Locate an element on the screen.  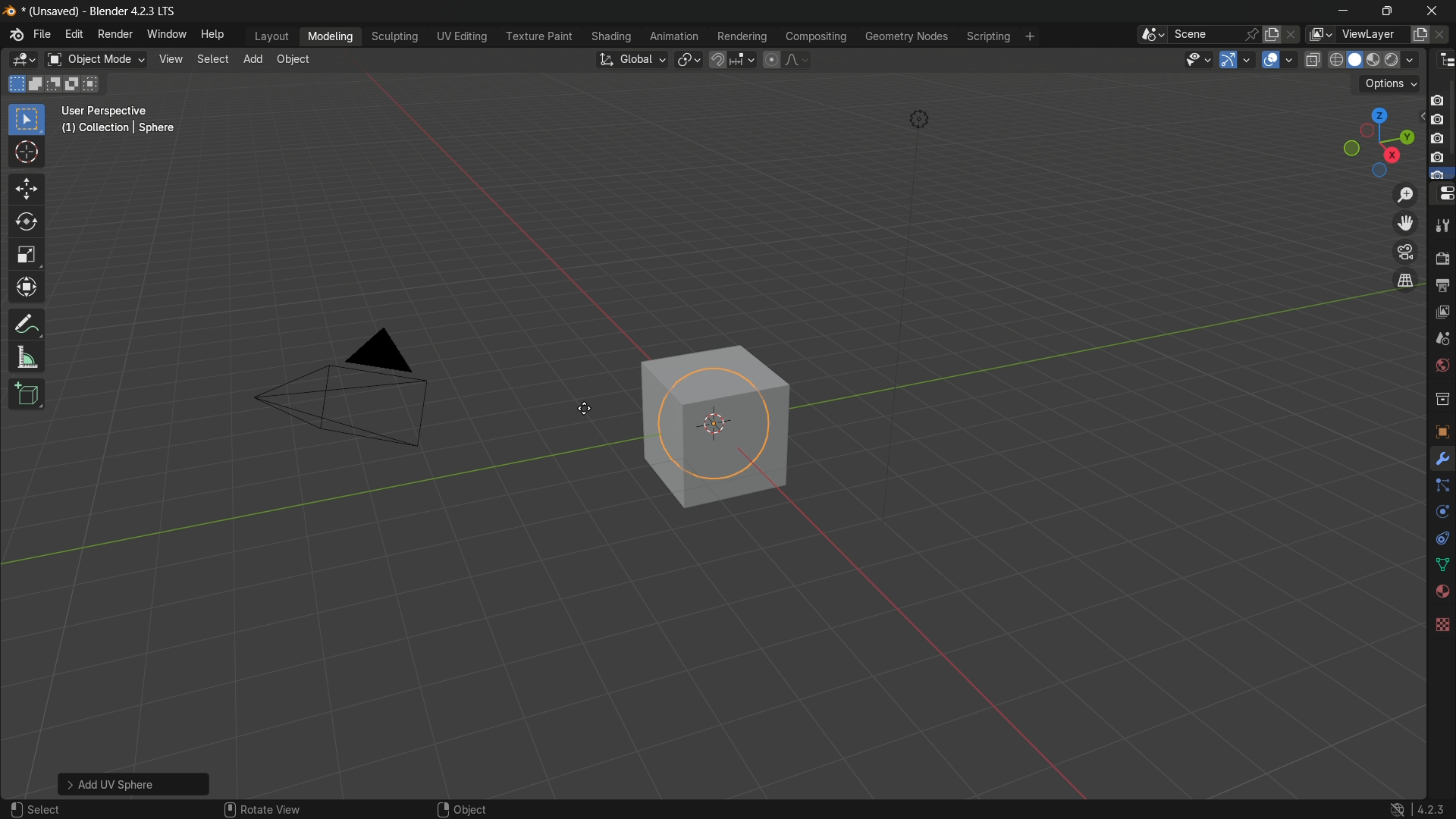
outliner is located at coordinates (1441, 61).